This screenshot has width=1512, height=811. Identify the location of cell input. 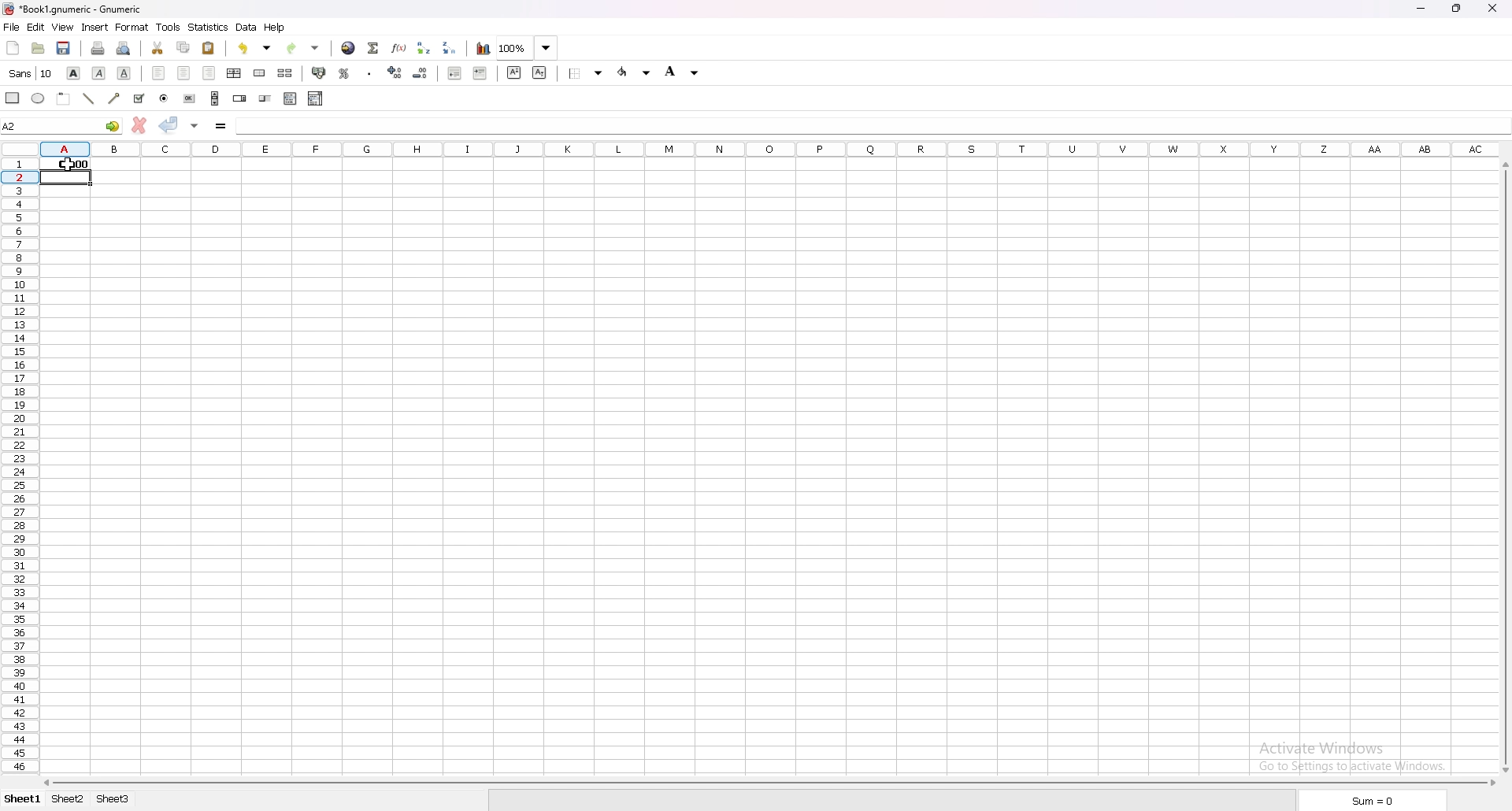
(265, 124).